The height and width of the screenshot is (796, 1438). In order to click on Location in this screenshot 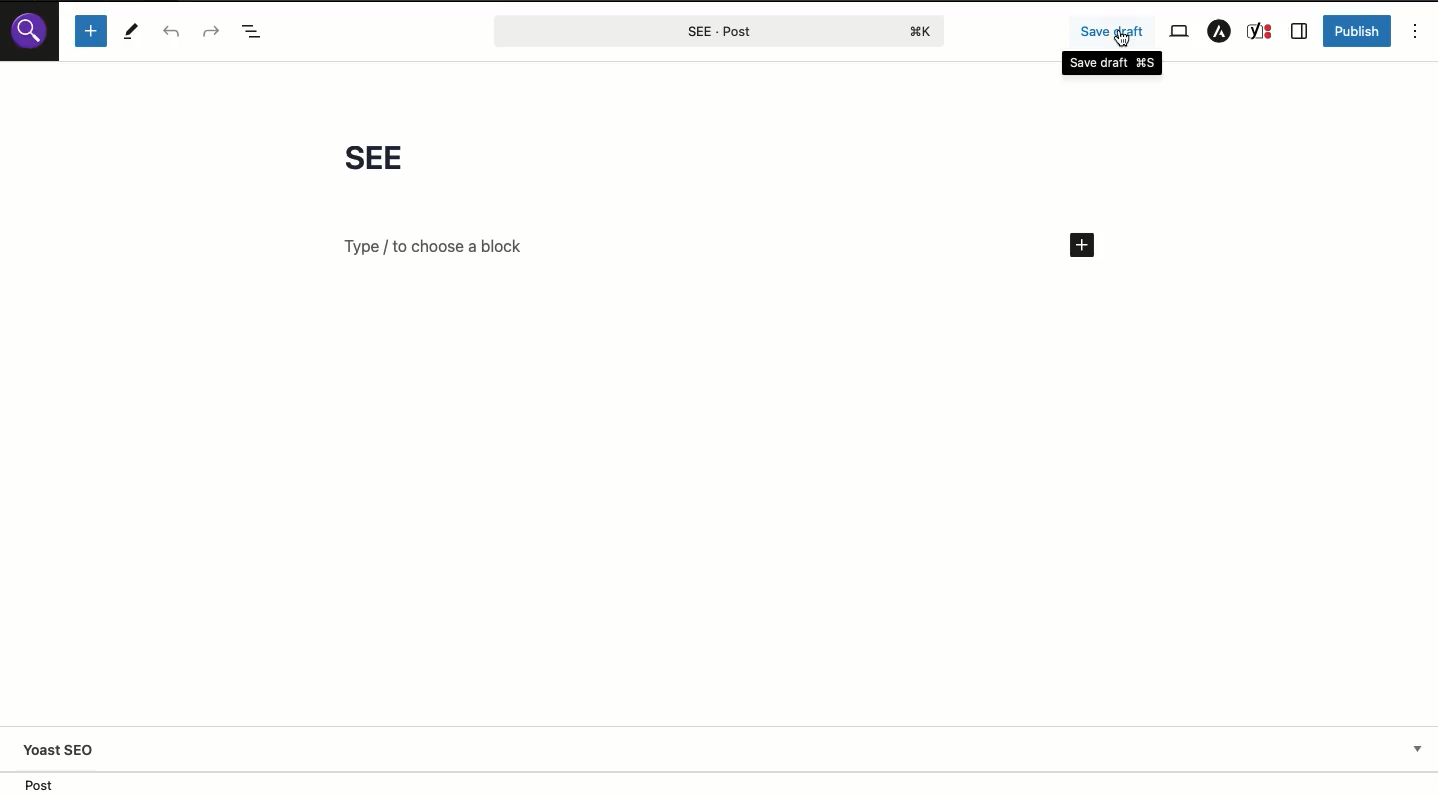, I will do `click(719, 783)`.